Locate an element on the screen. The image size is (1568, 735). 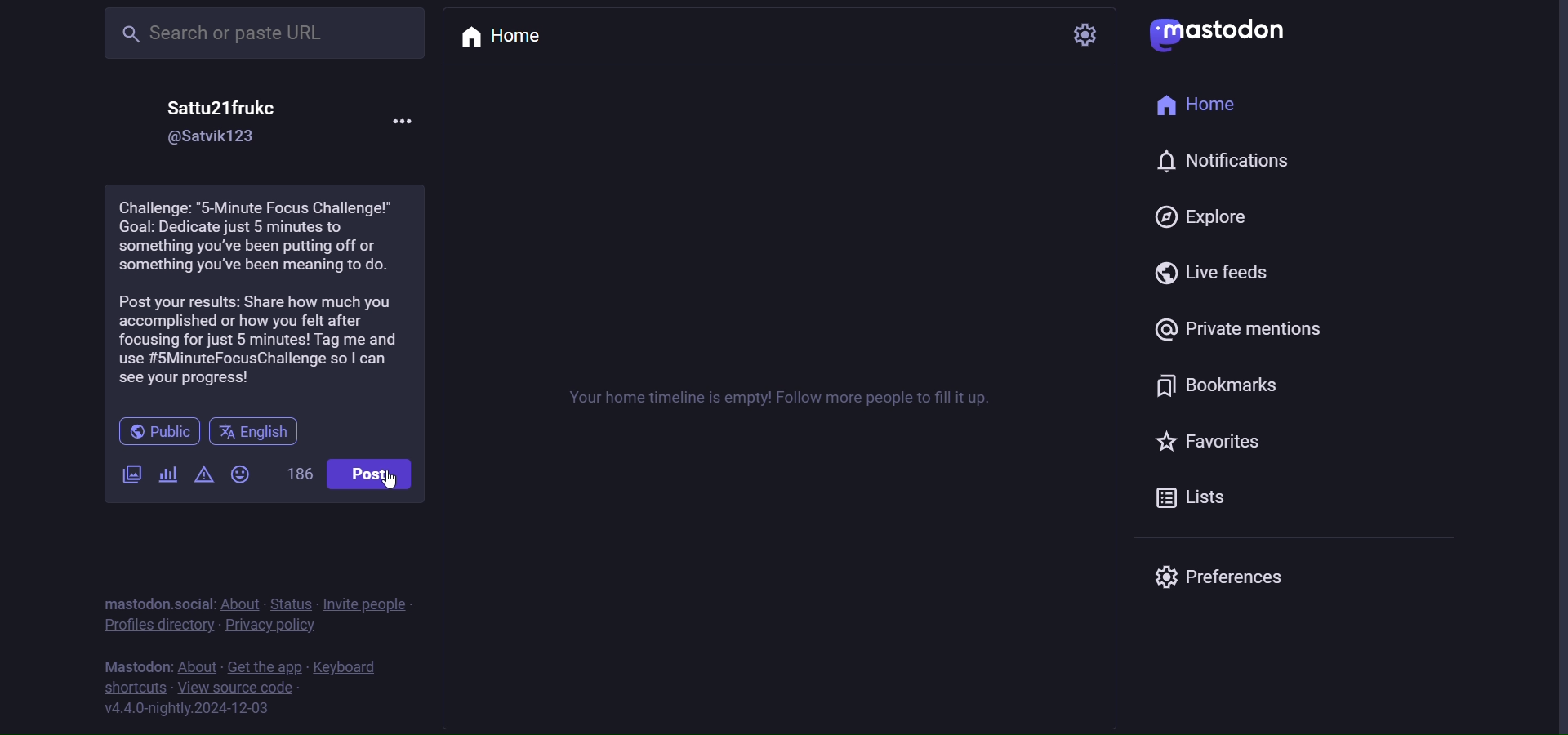
mastodon is located at coordinates (1226, 32).